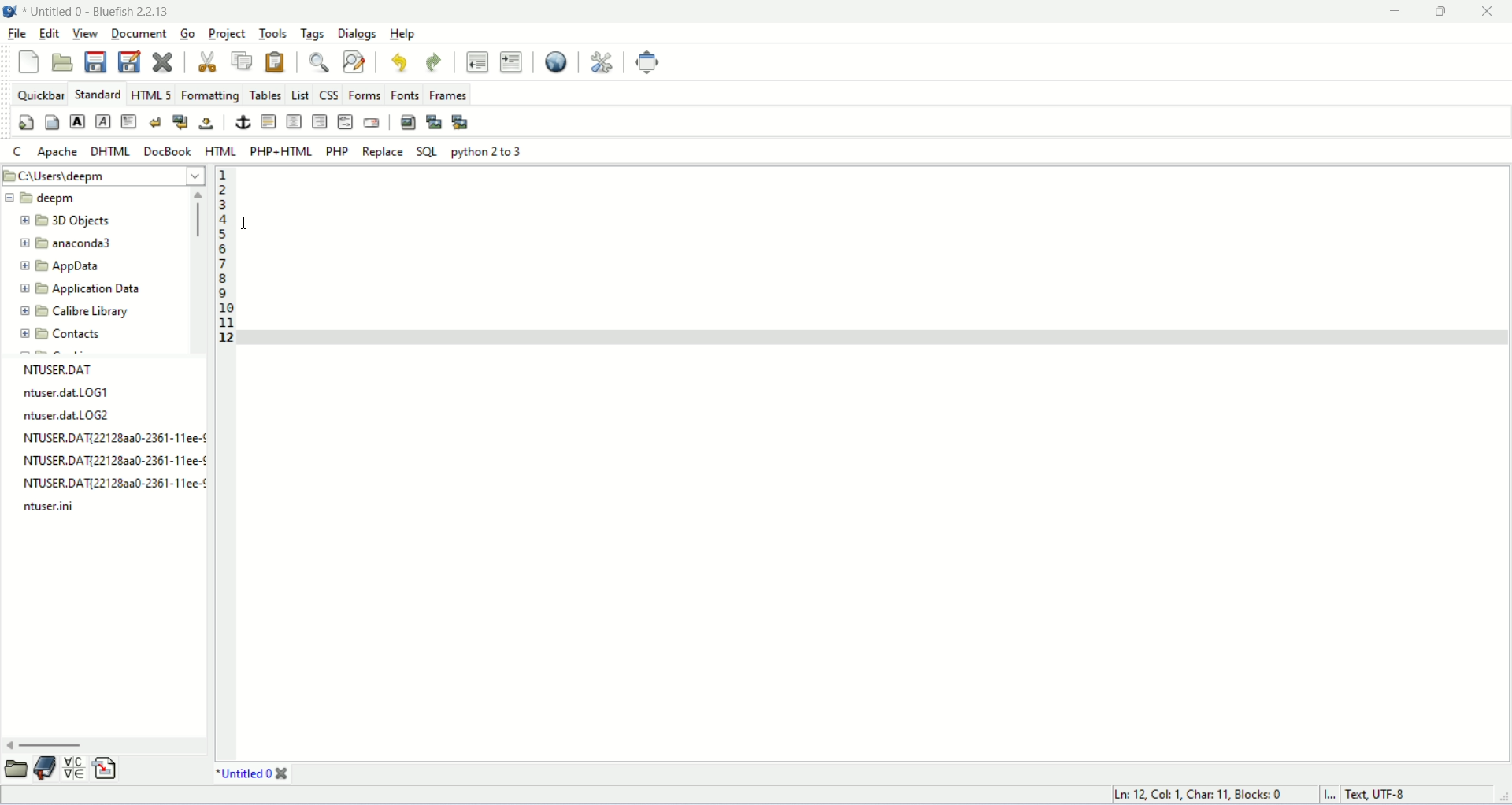  I want to click on insert thumbnail, so click(436, 121).